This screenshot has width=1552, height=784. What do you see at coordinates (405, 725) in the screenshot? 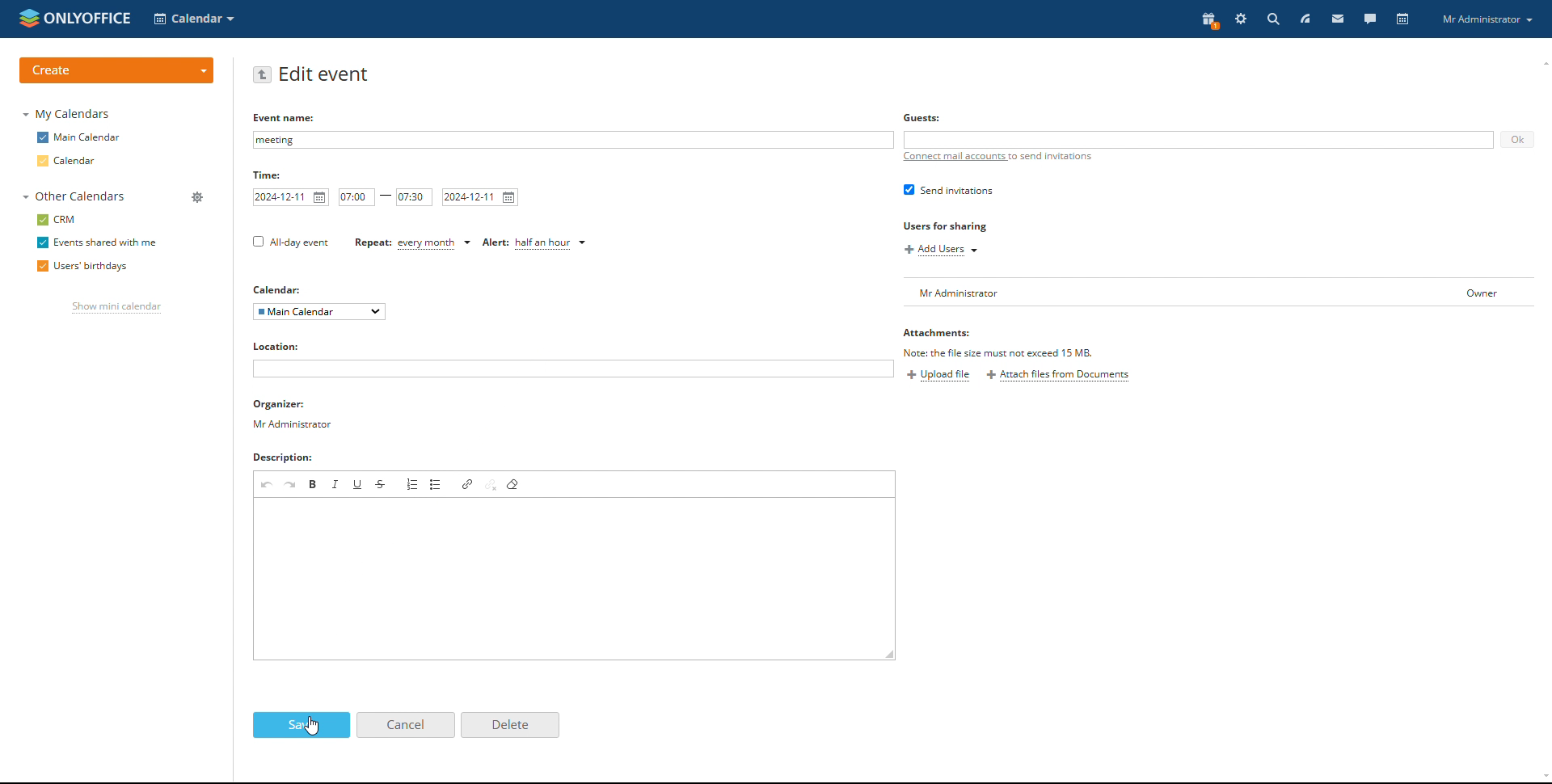
I see `cancel` at bounding box center [405, 725].